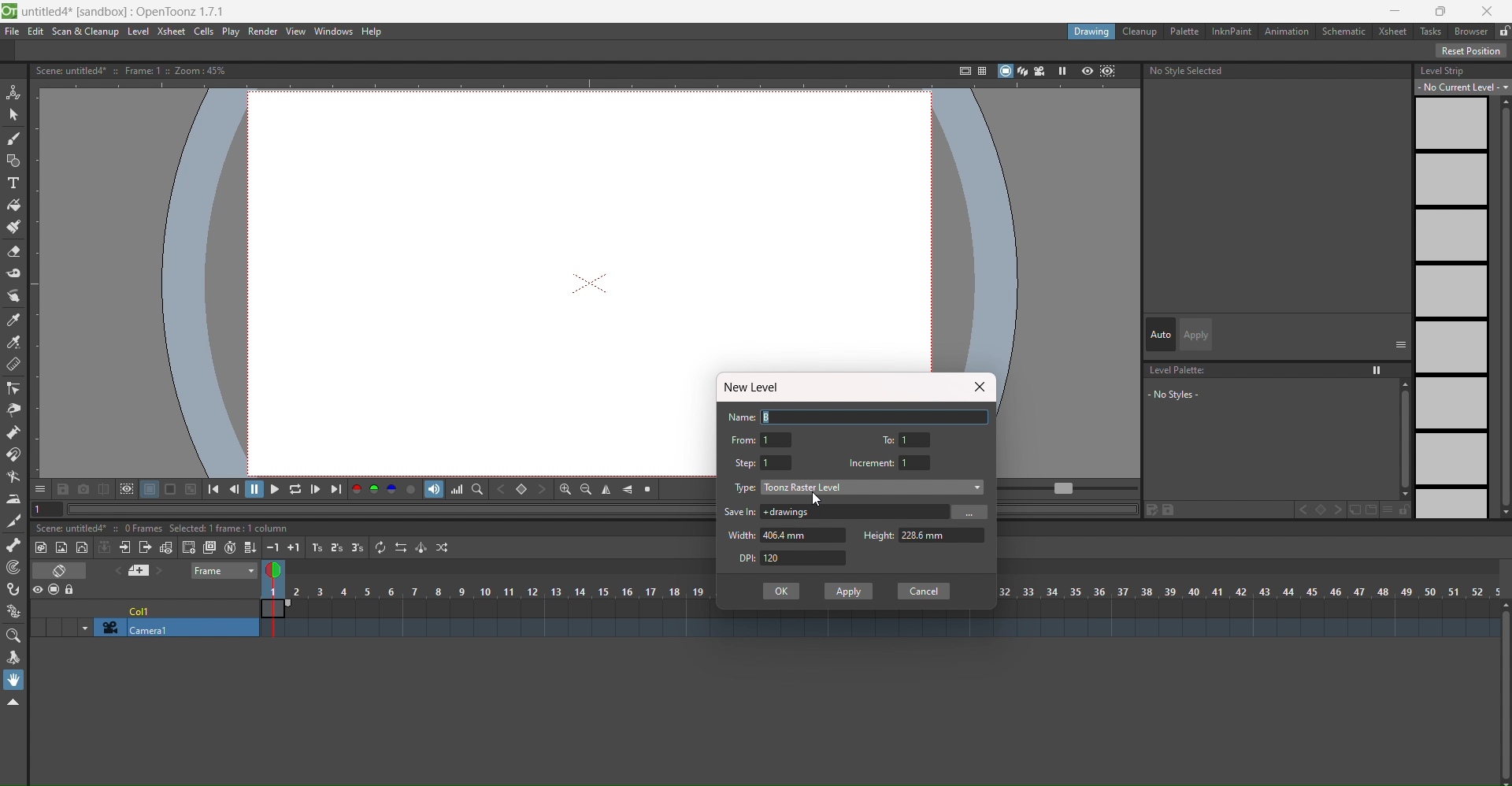  Describe the element at coordinates (12, 432) in the screenshot. I see `pump tool` at that location.